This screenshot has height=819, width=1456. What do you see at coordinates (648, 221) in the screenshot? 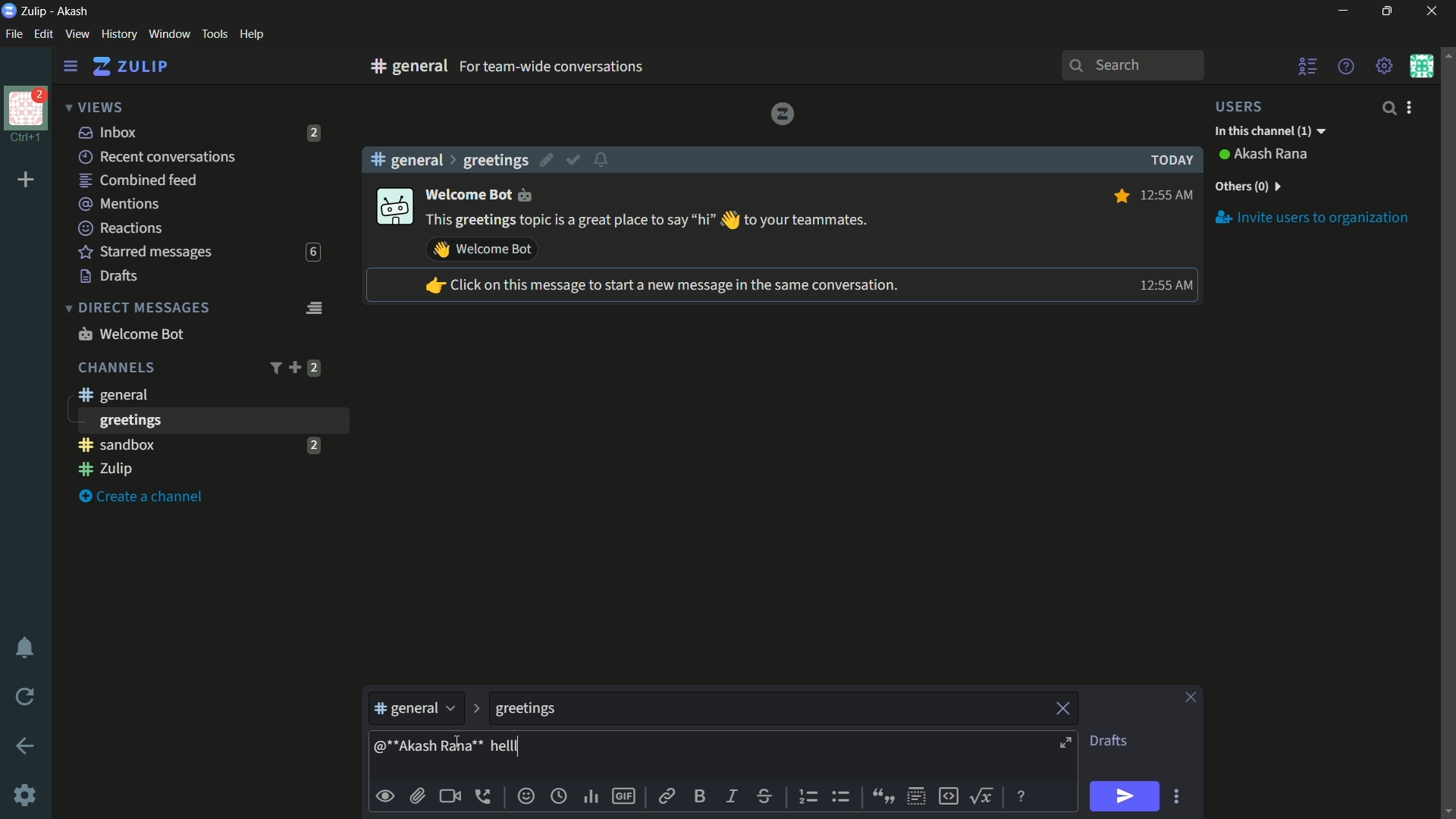
I see `This greeting topic is a great place to say hi to your teammates` at bounding box center [648, 221].